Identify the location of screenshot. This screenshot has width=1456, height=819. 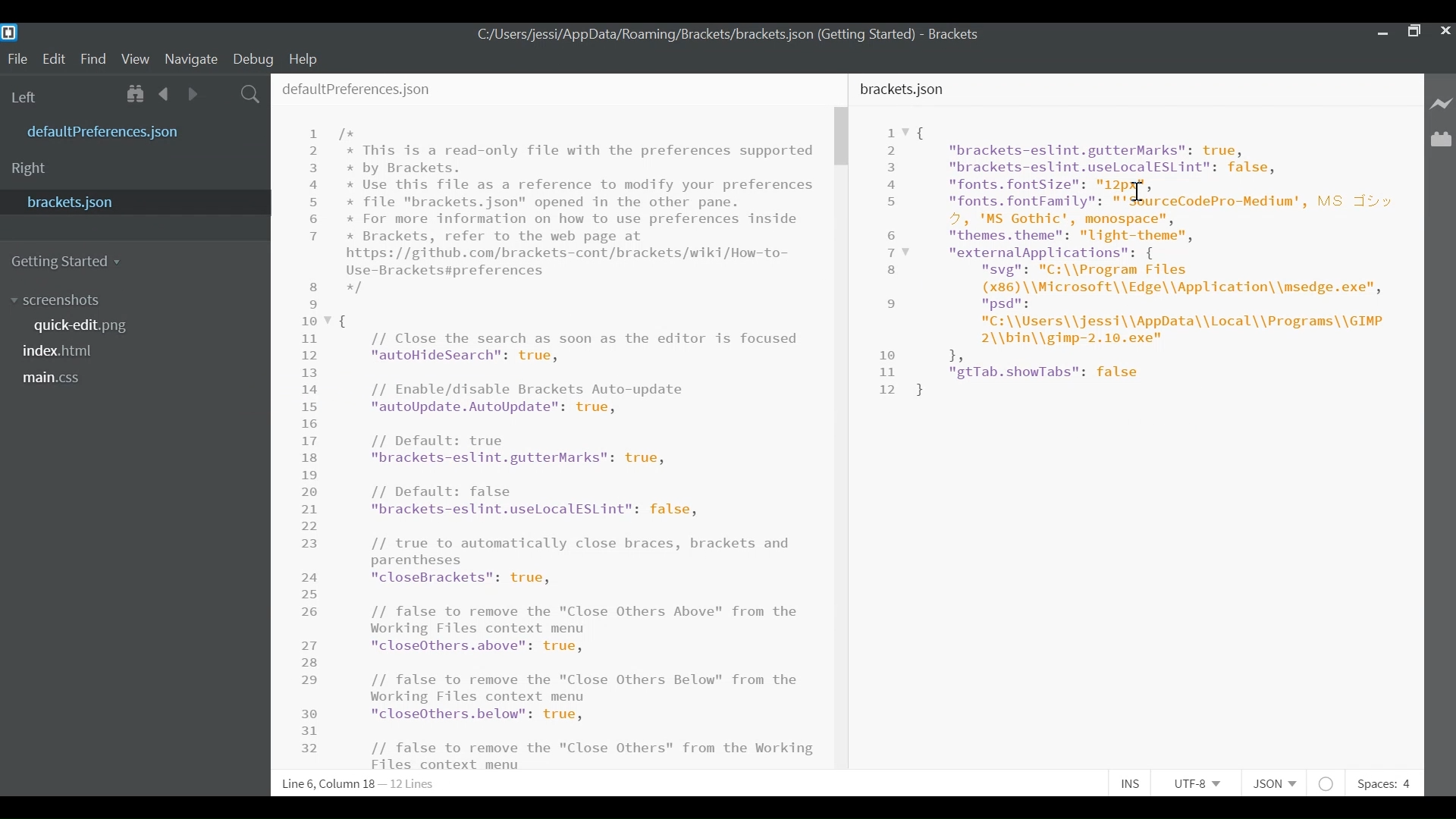
(64, 299).